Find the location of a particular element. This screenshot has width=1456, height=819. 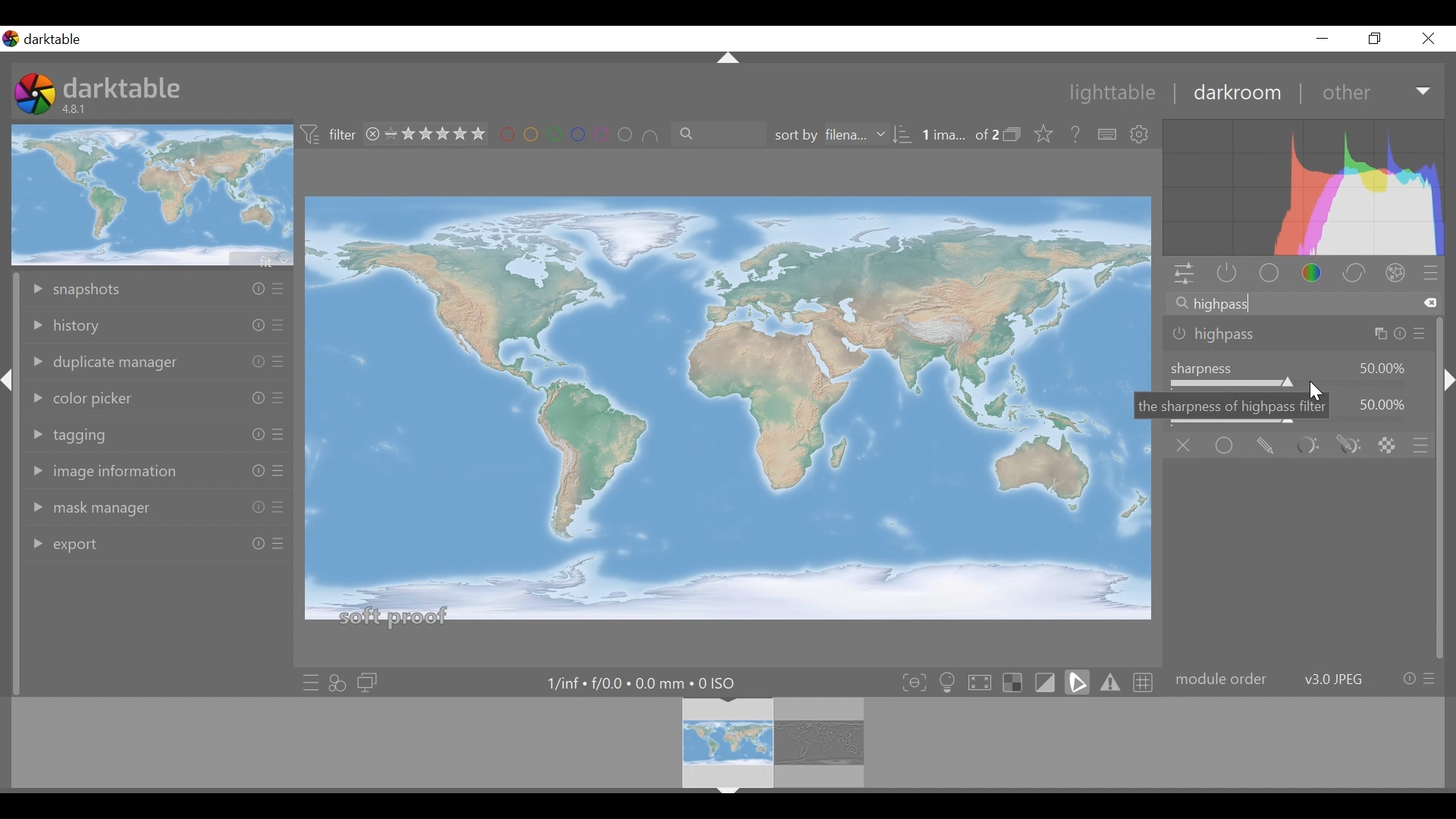

highpass is located at coordinates (1299, 336).